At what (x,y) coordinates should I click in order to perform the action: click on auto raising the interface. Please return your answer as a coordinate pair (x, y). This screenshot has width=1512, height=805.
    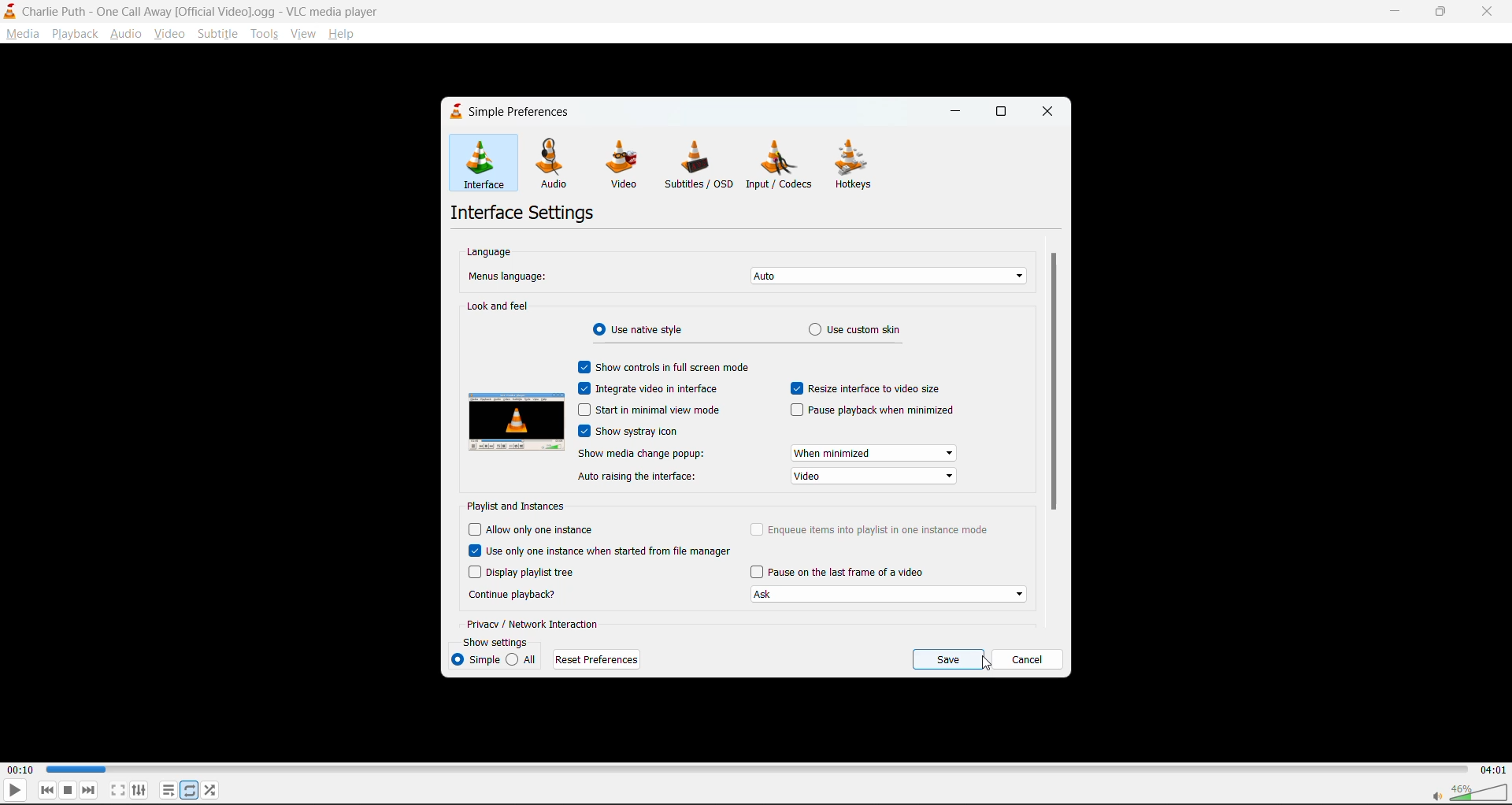
    Looking at the image, I should click on (642, 477).